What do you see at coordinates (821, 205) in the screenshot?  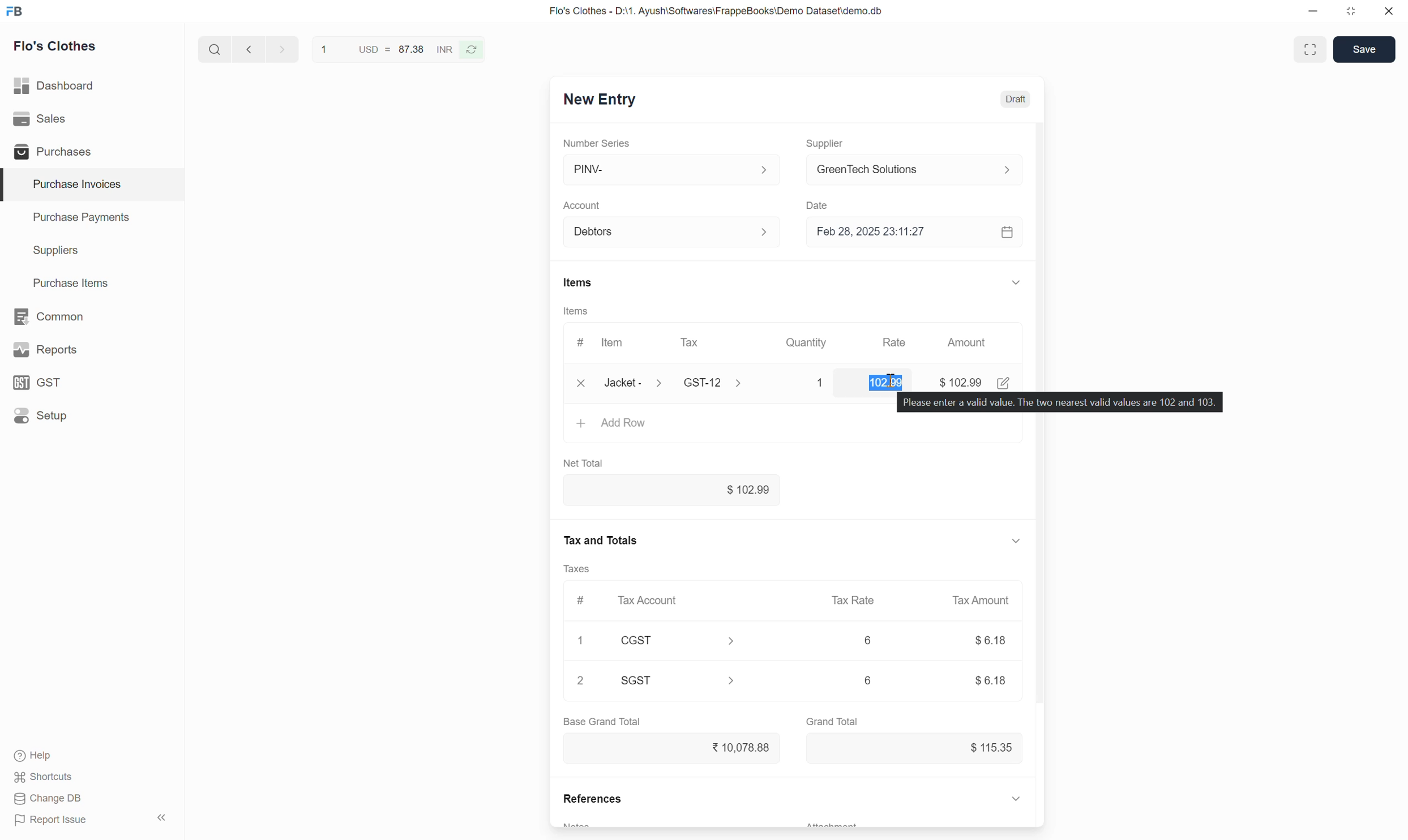 I see `Date` at bounding box center [821, 205].